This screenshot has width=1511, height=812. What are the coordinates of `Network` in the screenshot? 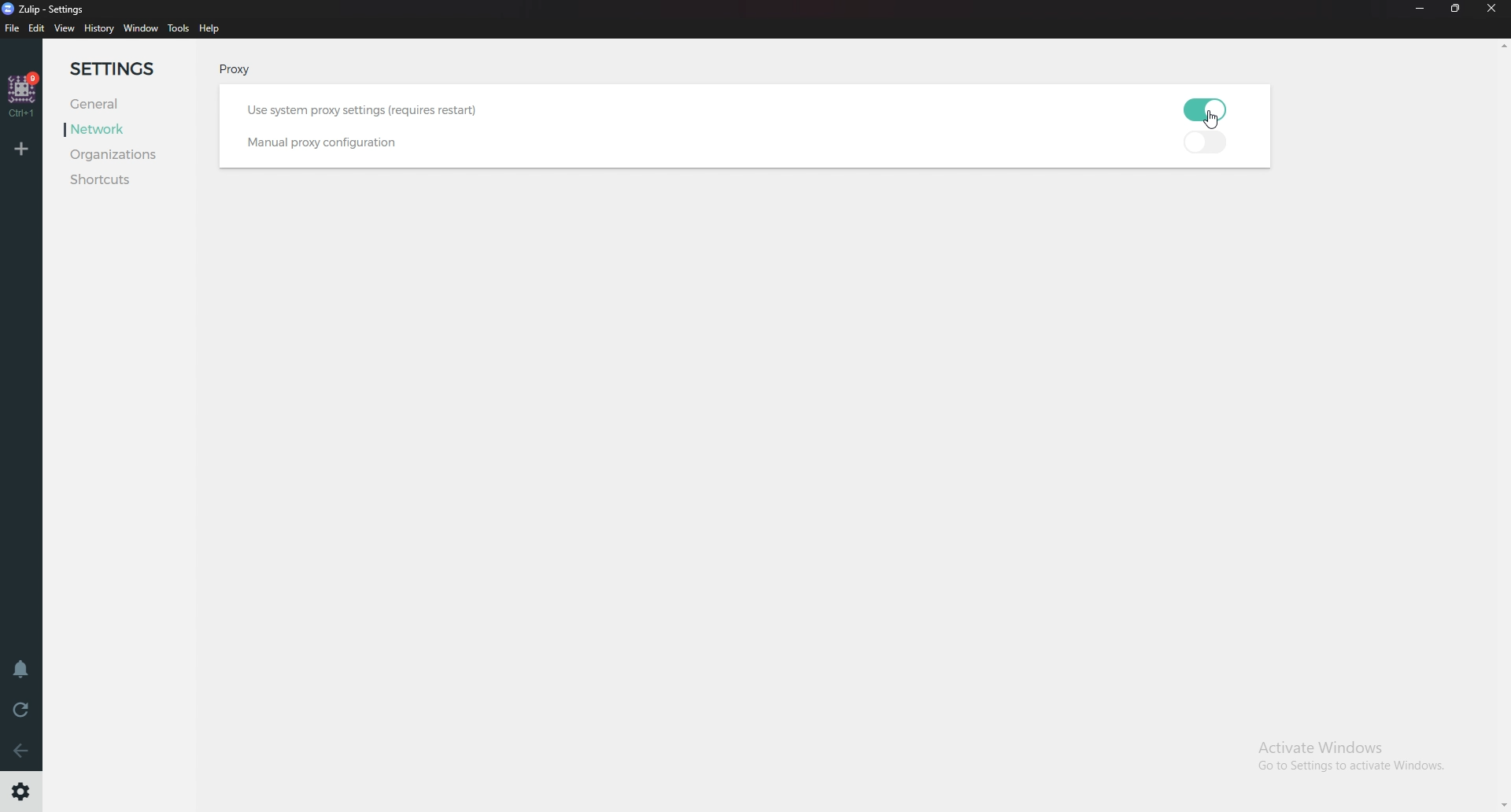 It's located at (122, 131).